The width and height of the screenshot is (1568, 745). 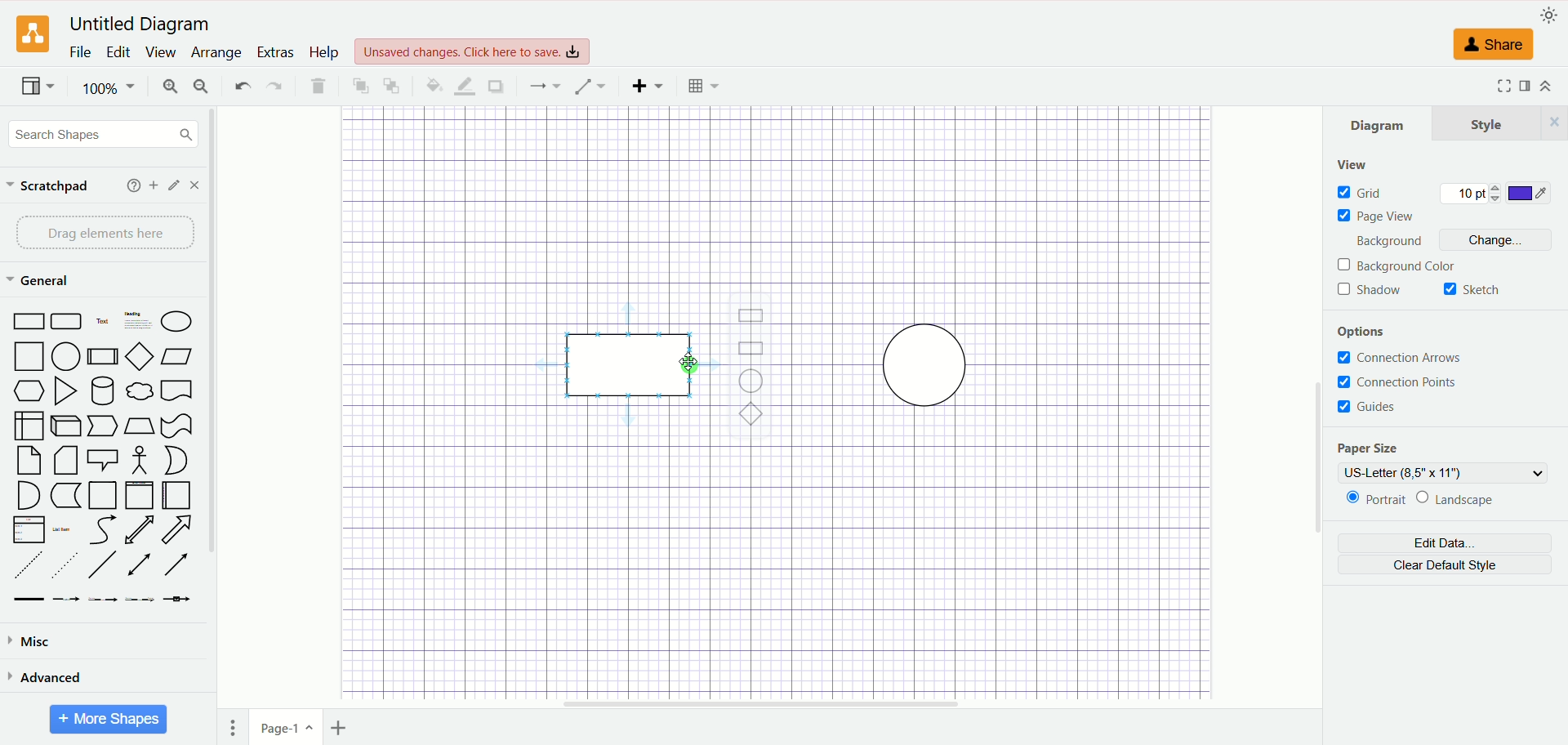 What do you see at coordinates (204, 86) in the screenshot?
I see `zoom out` at bounding box center [204, 86].